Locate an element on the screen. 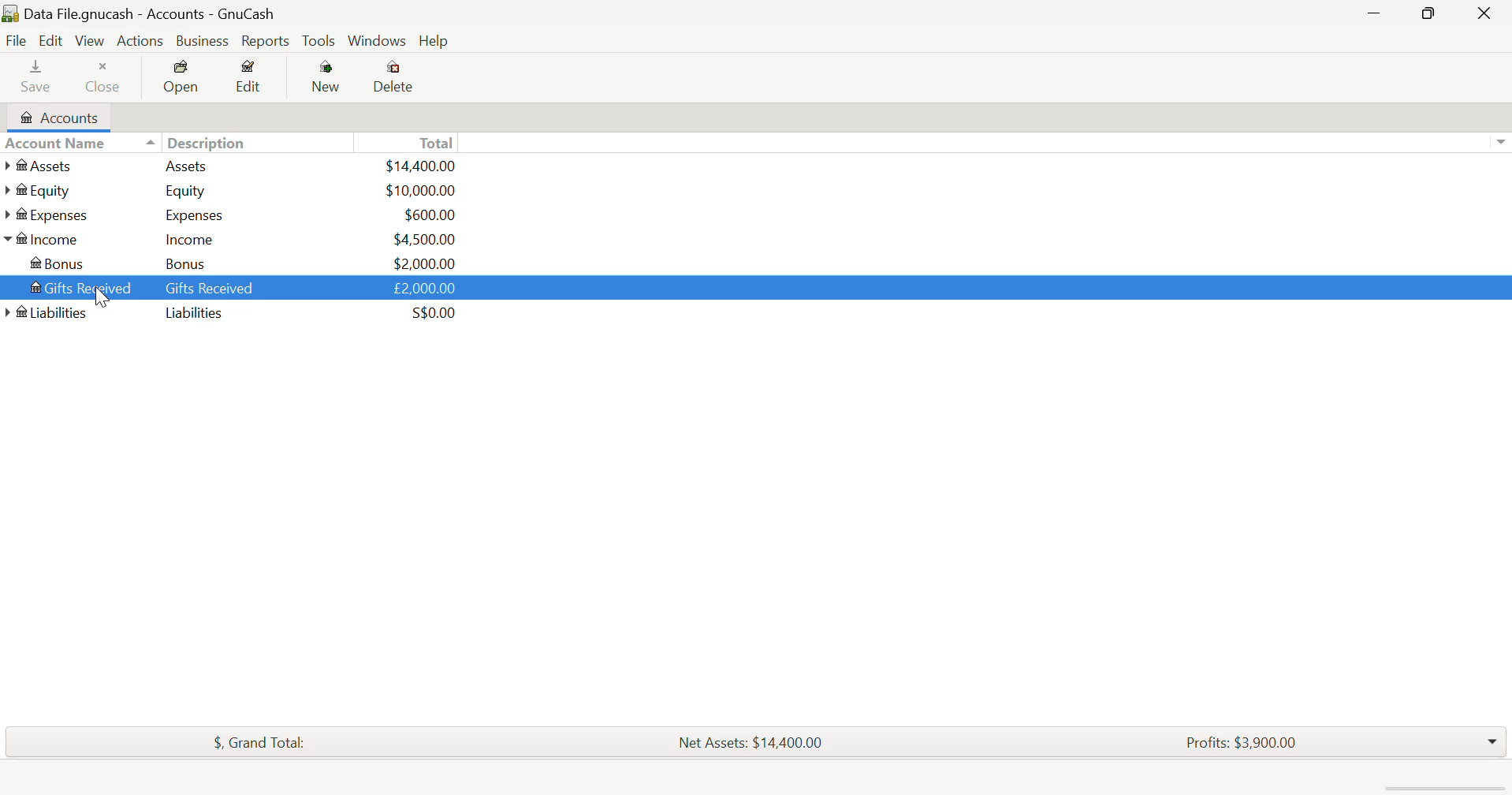  Edit is located at coordinates (251, 78).